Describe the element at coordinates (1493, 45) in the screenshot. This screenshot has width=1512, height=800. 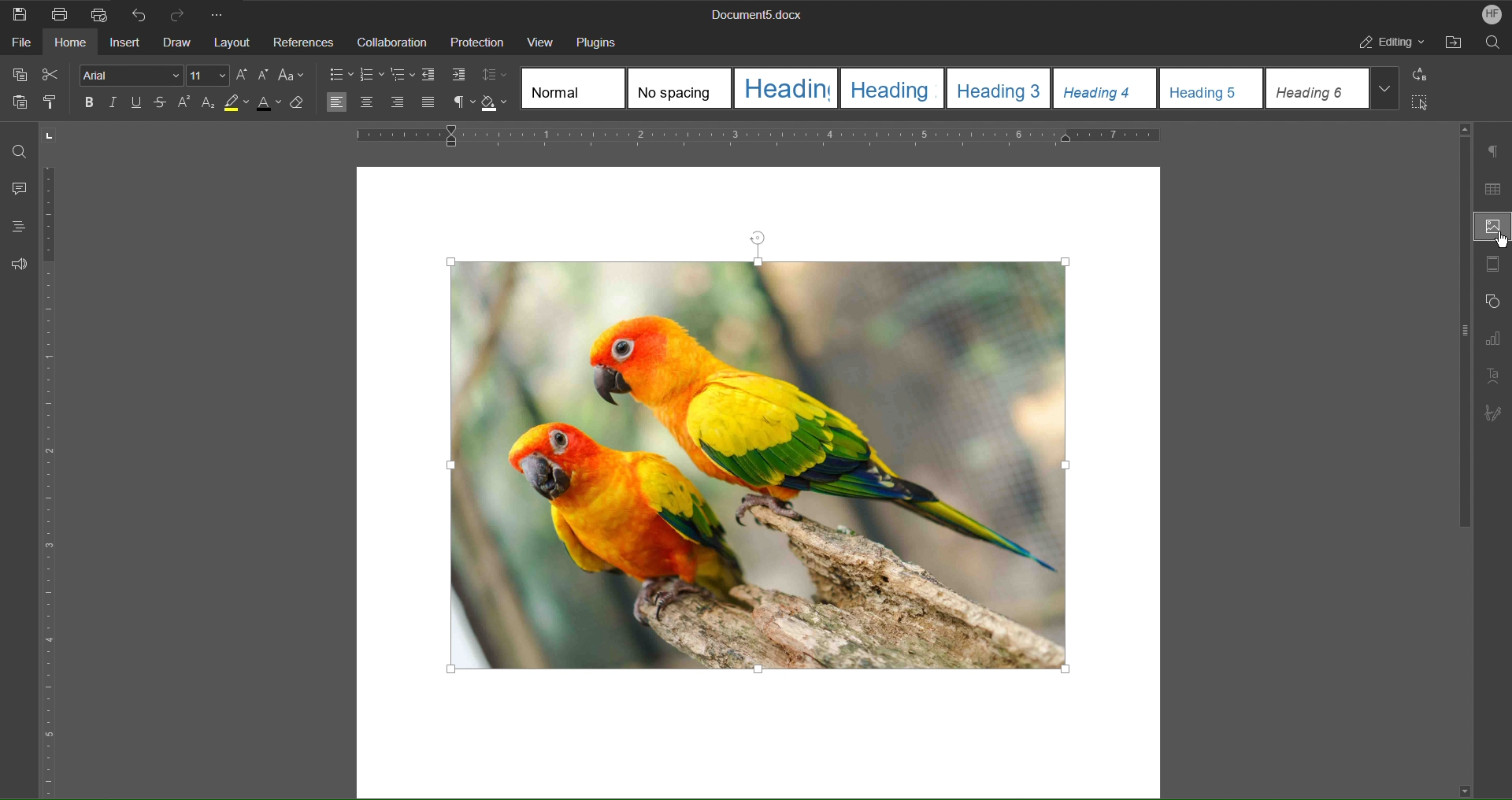
I see `Search` at that location.